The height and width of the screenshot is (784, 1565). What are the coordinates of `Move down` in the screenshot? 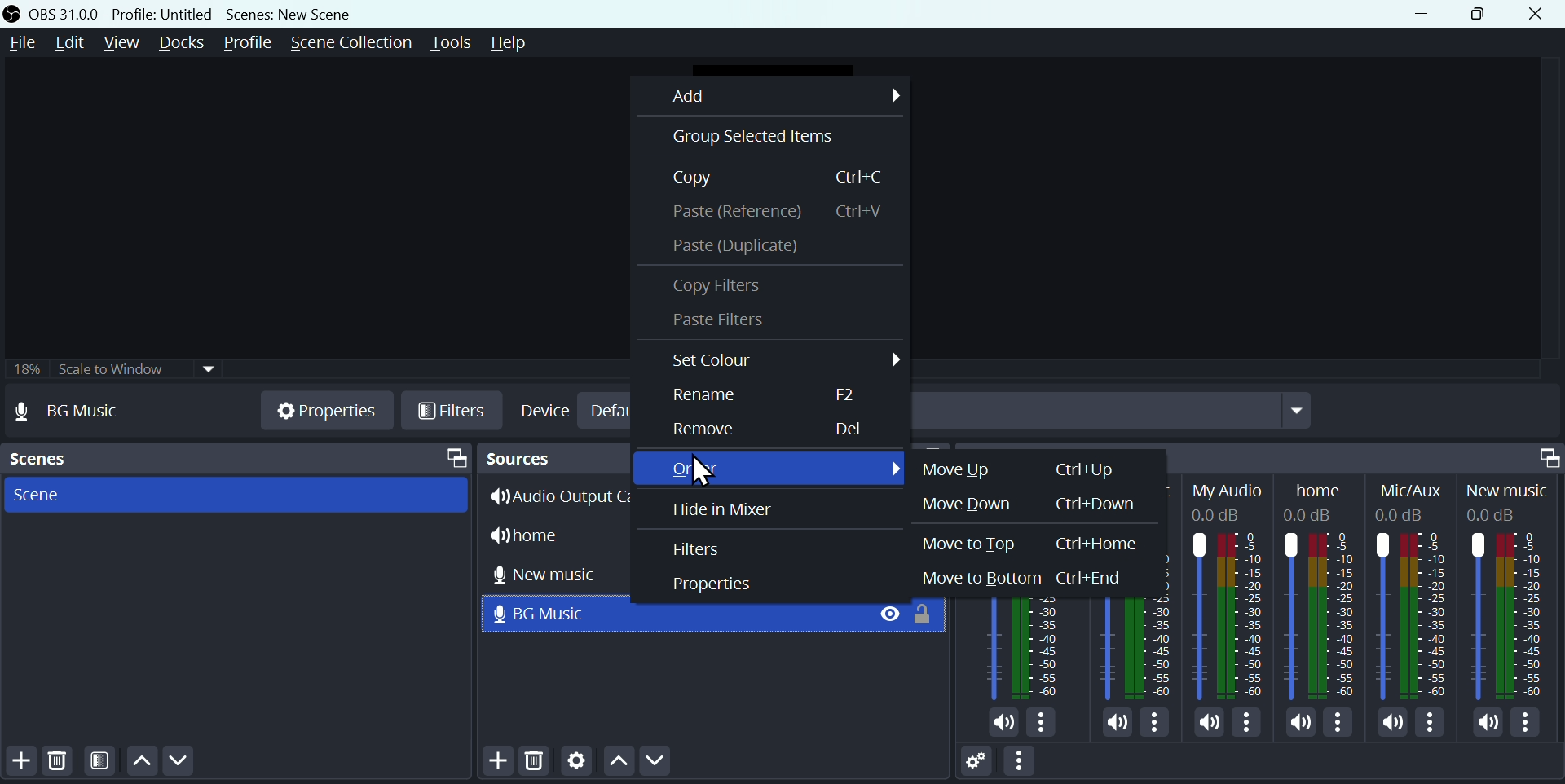 It's located at (1027, 503).